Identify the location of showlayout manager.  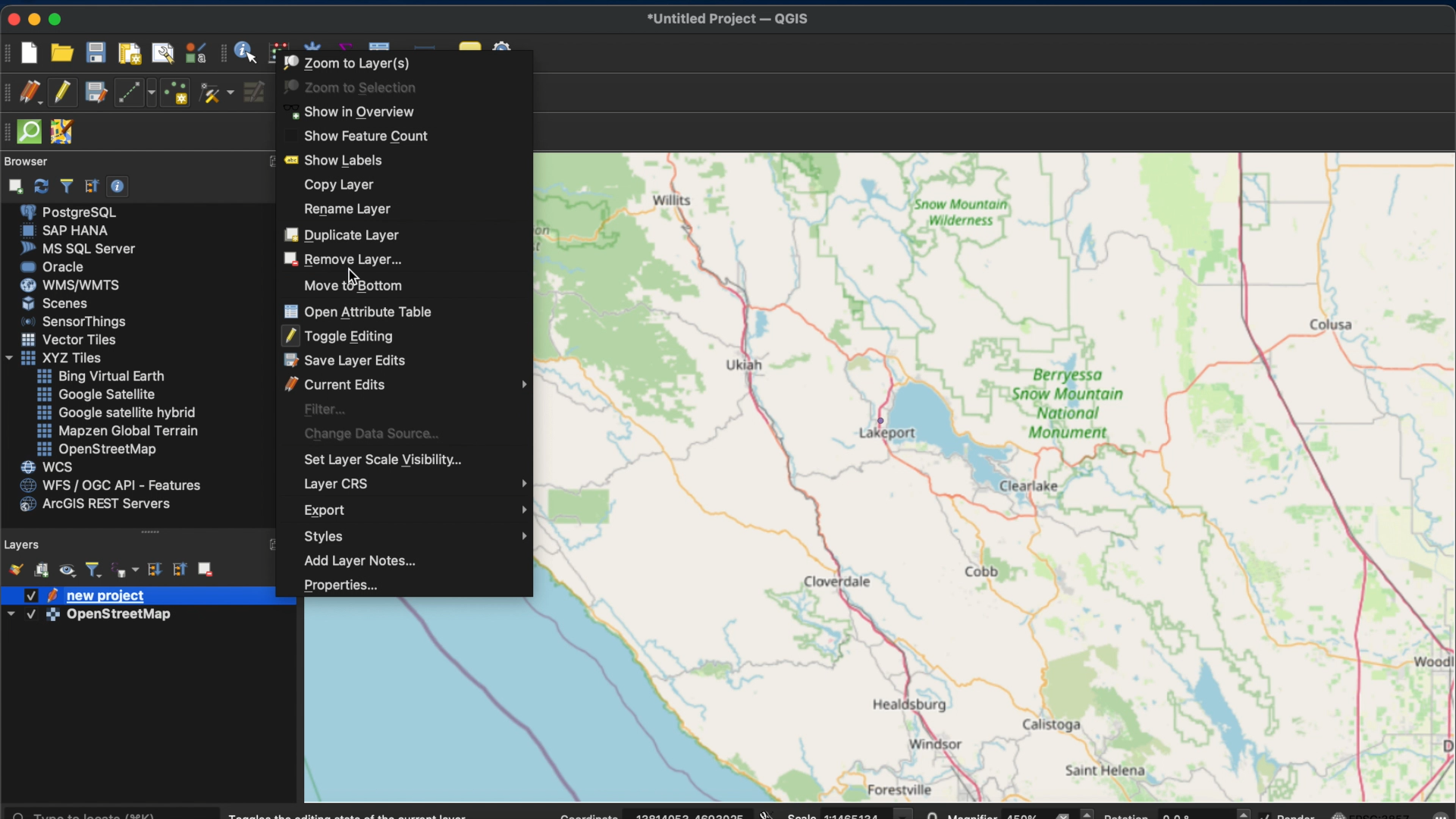
(163, 54).